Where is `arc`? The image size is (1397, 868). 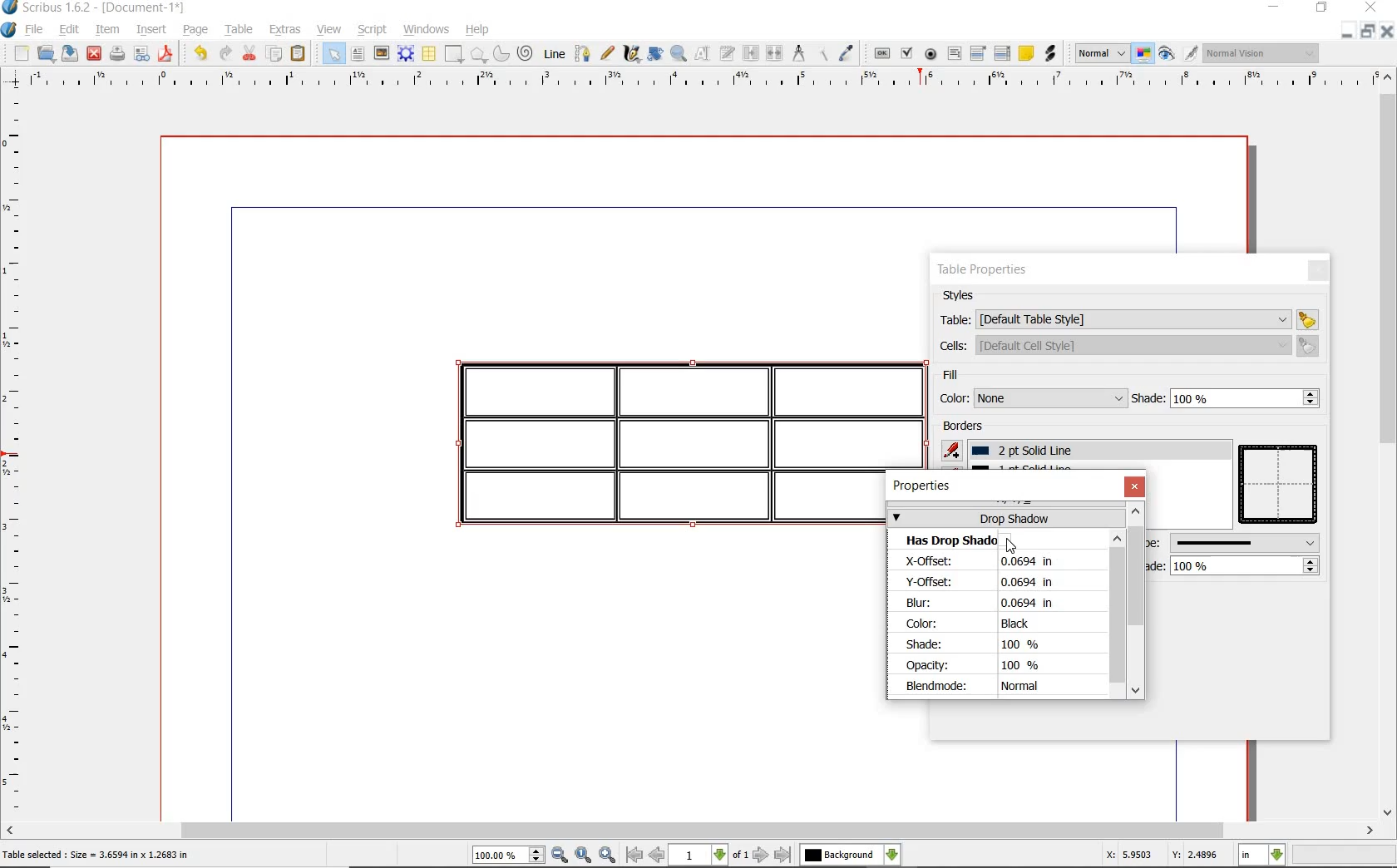
arc is located at coordinates (502, 54).